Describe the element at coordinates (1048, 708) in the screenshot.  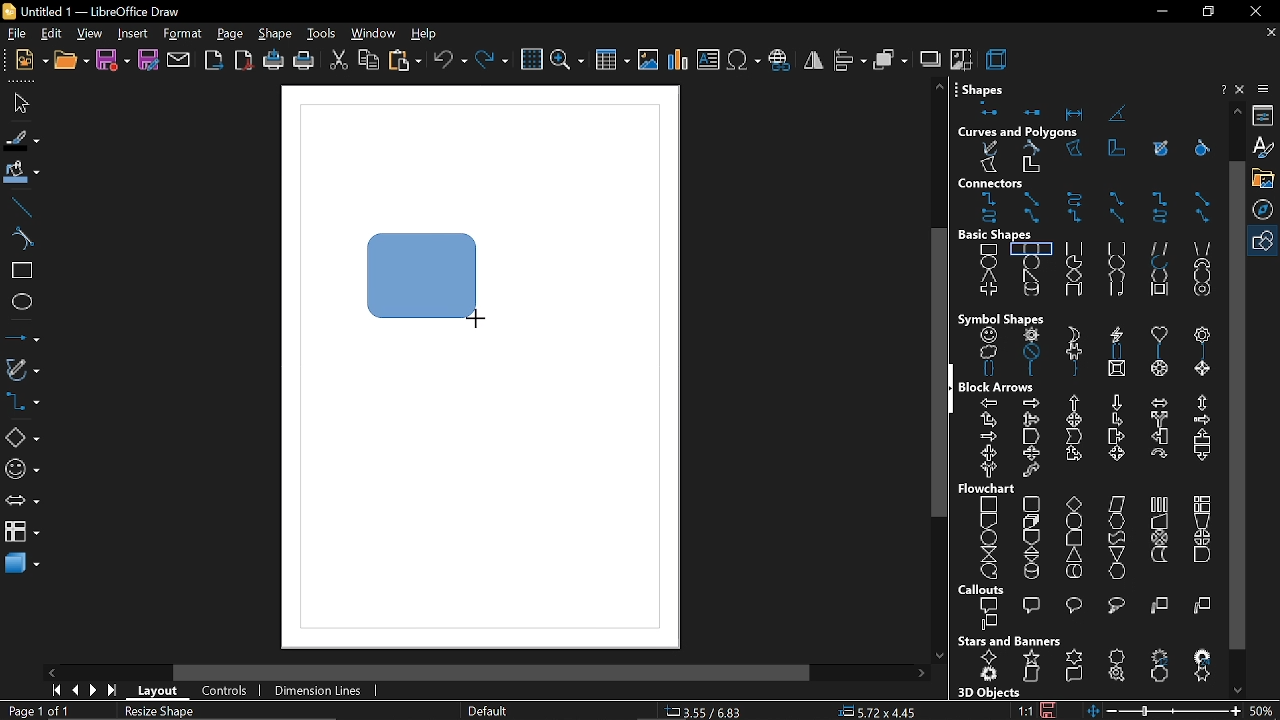
I see `save` at that location.